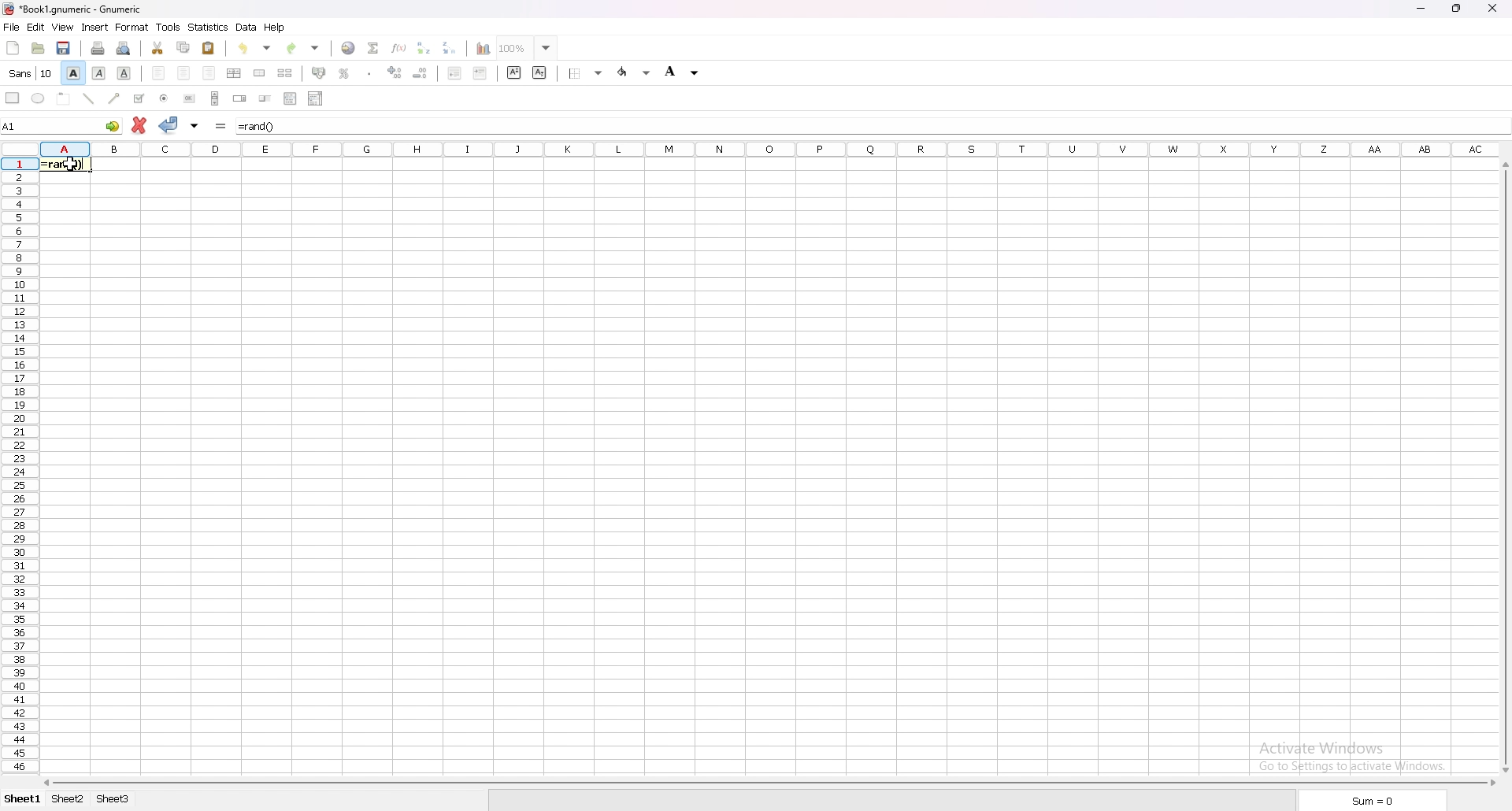 The height and width of the screenshot is (811, 1512). What do you see at coordinates (395, 72) in the screenshot?
I see `increase decimal` at bounding box center [395, 72].